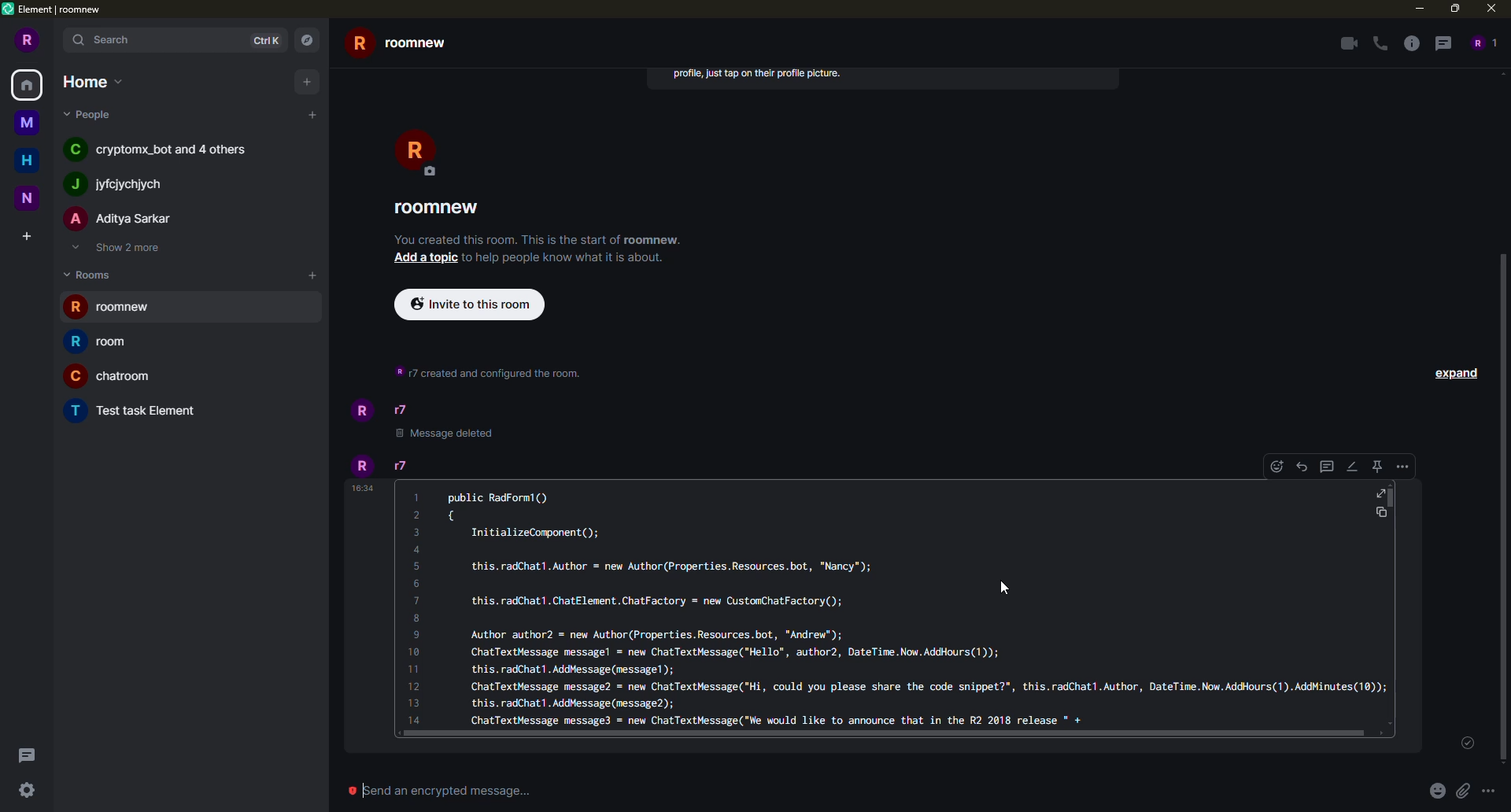 The height and width of the screenshot is (812, 1511). Describe the element at coordinates (315, 115) in the screenshot. I see `add` at that location.